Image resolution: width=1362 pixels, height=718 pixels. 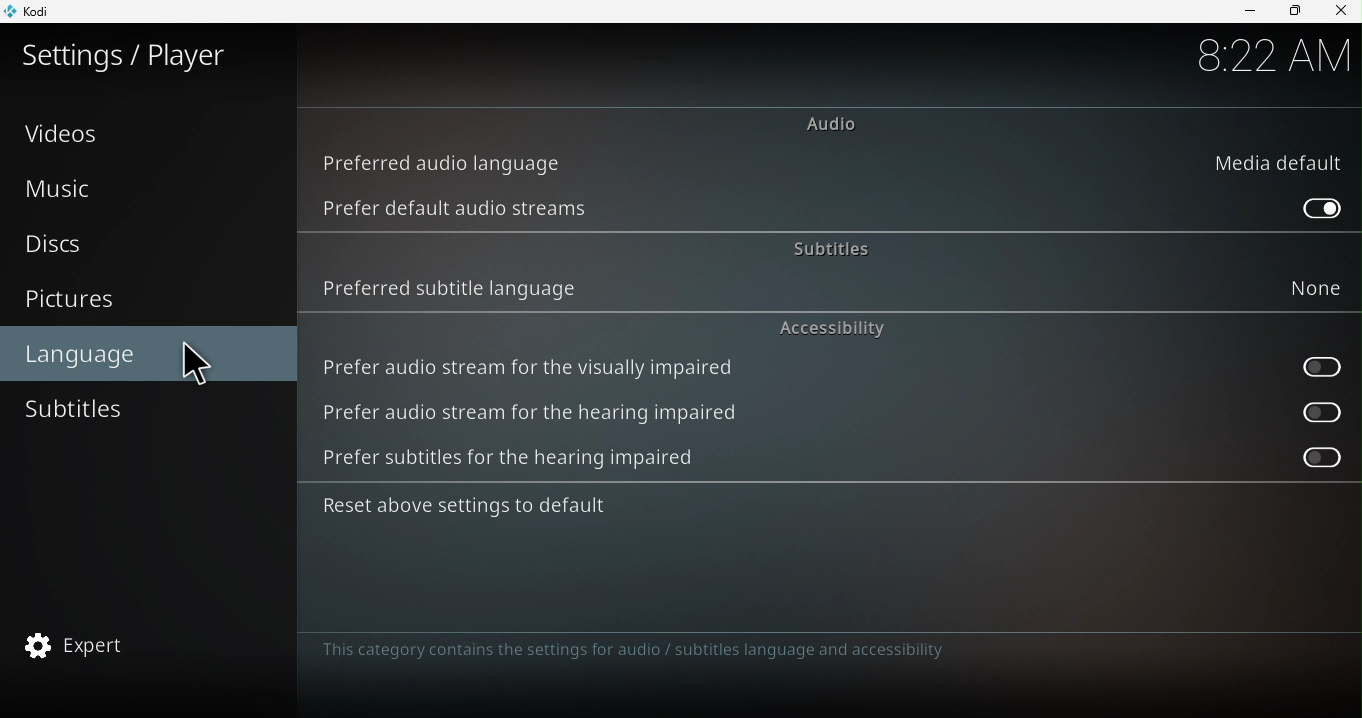 I want to click on Prefer audio stream for the visually impaired, so click(x=1312, y=369).